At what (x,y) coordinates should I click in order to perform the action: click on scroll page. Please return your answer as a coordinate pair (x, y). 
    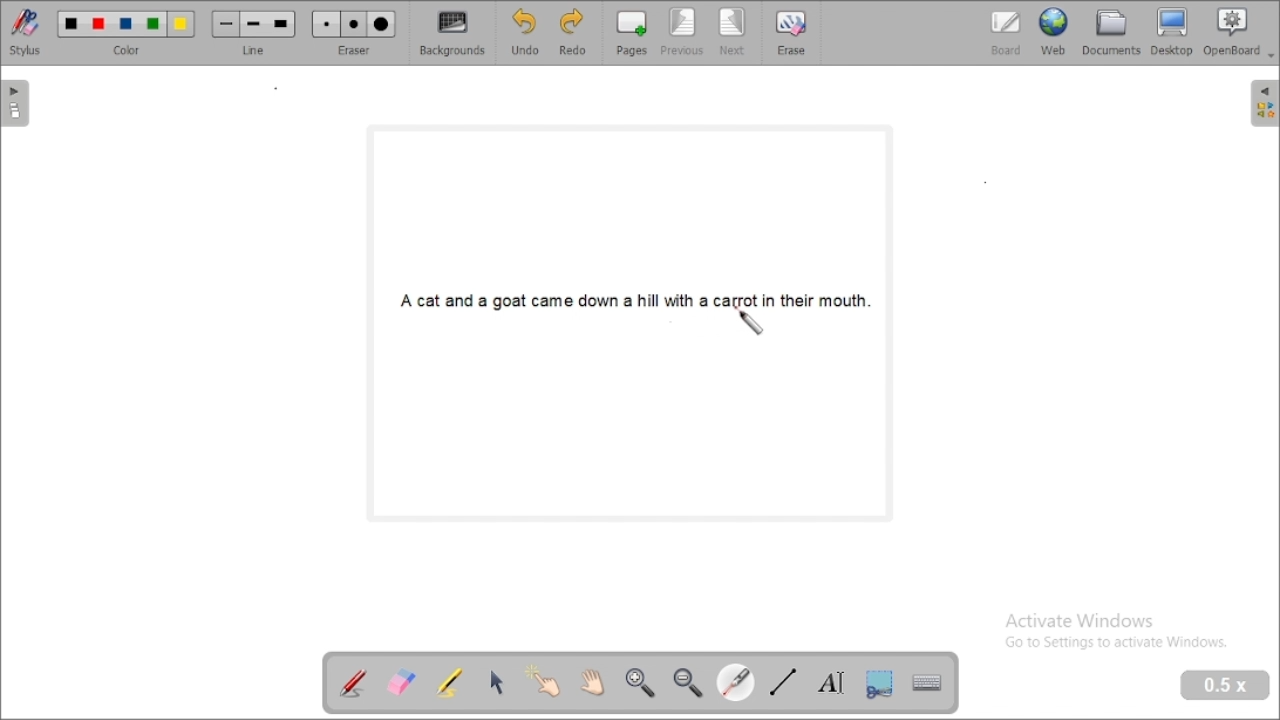
    Looking at the image, I should click on (593, 683).